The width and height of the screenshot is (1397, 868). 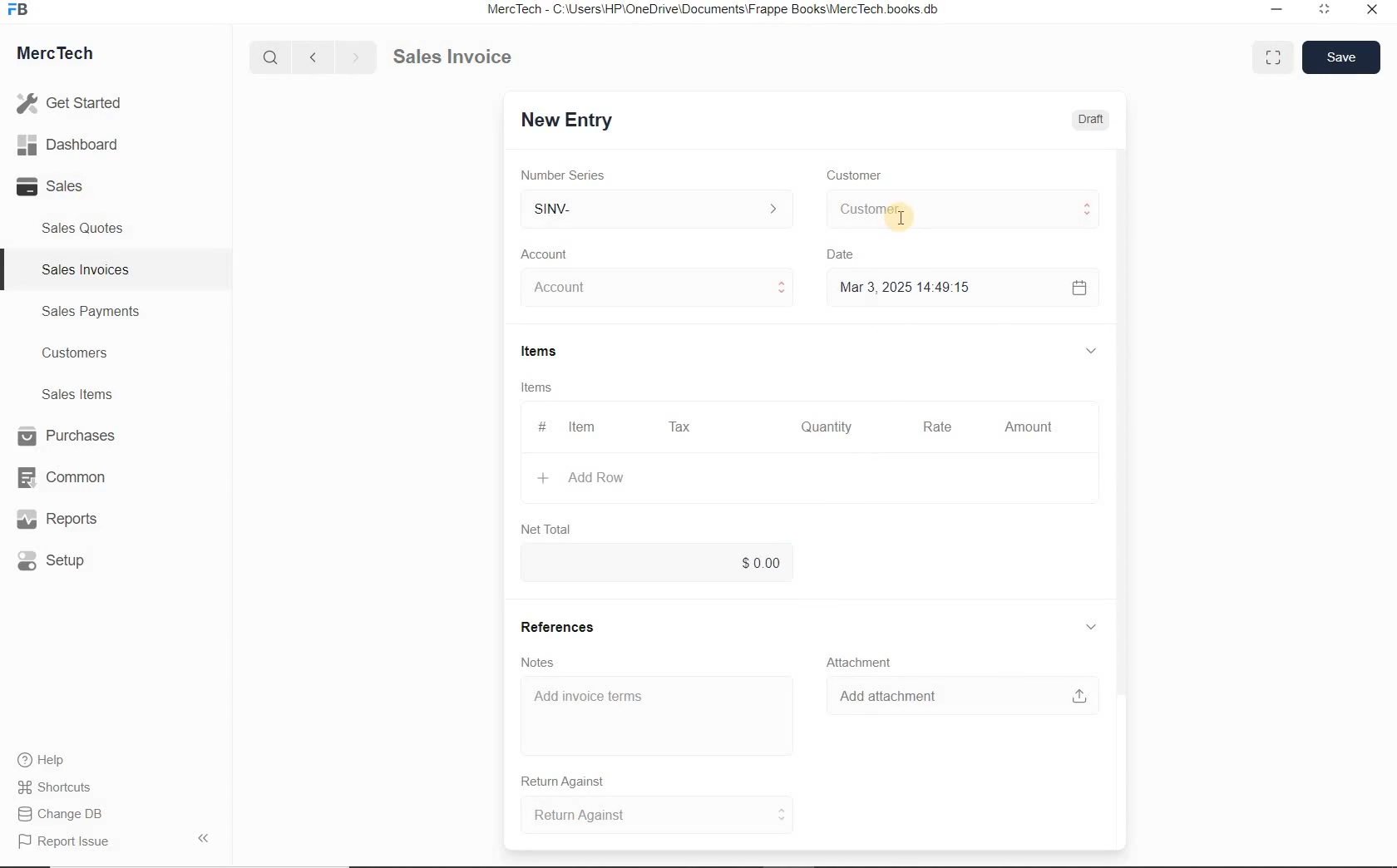 I want to click on Reports, so click(x=70, y=520).